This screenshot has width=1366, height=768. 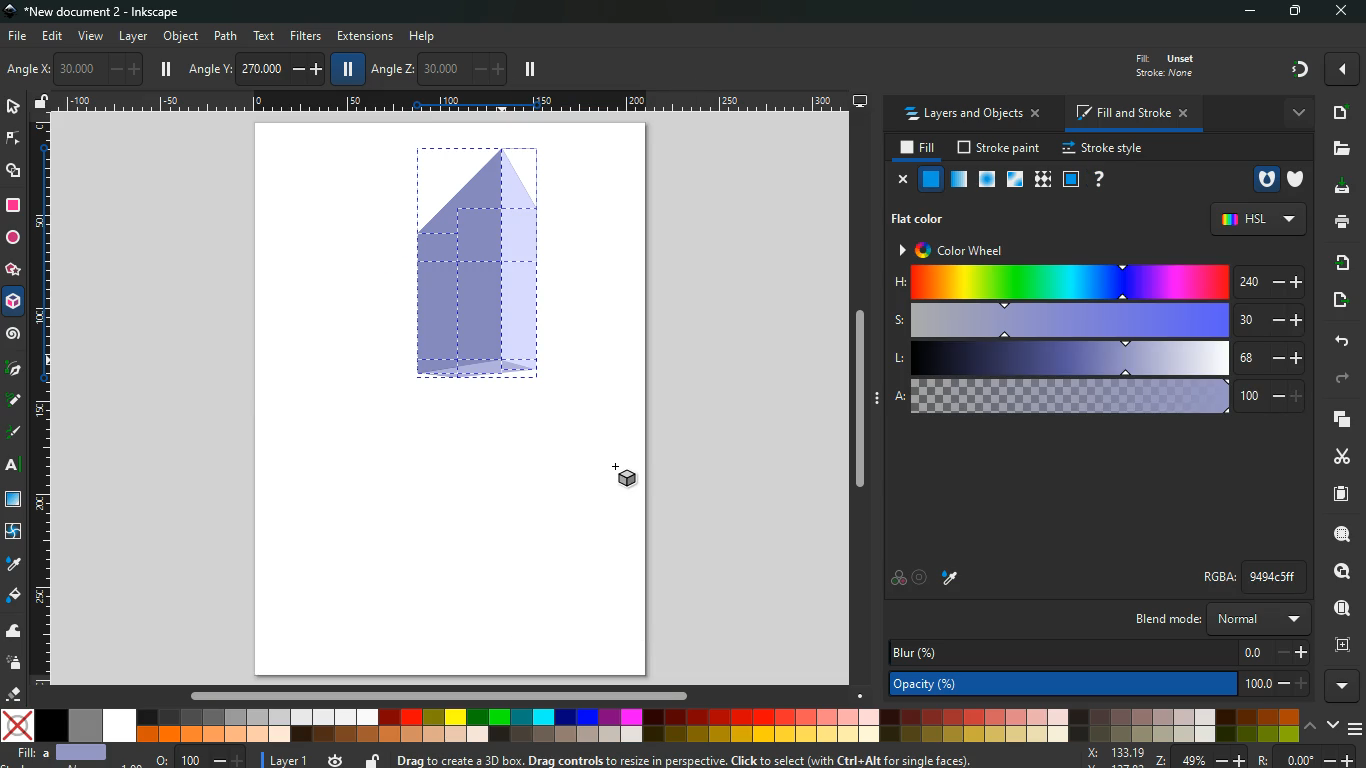 I want to click on view, so click(x=92, y=37).